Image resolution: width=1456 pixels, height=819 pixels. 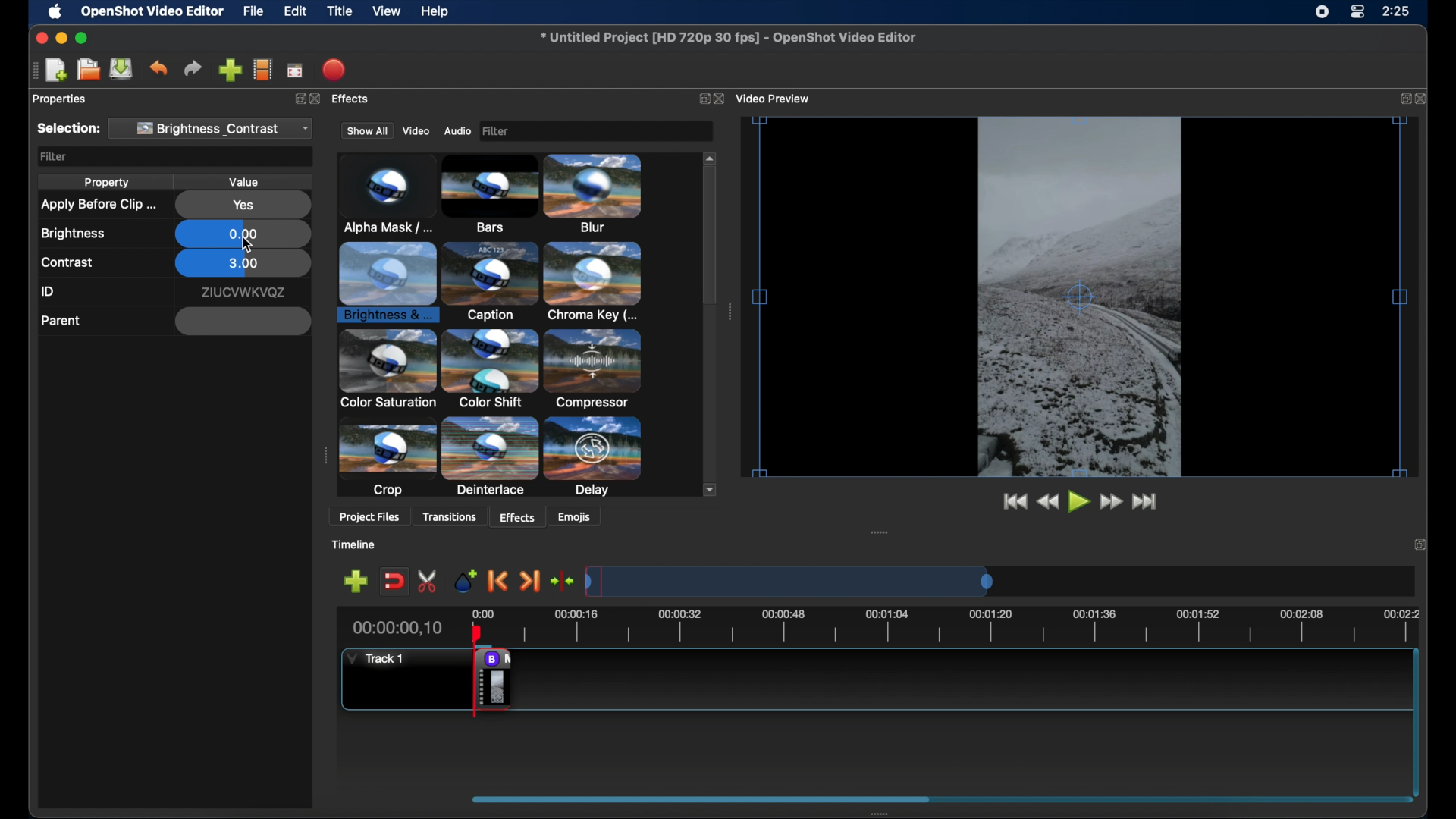 What do you see at coordinates (67, 263) in the screenshot?
I see `contrast` at bounding box center [67, 263].